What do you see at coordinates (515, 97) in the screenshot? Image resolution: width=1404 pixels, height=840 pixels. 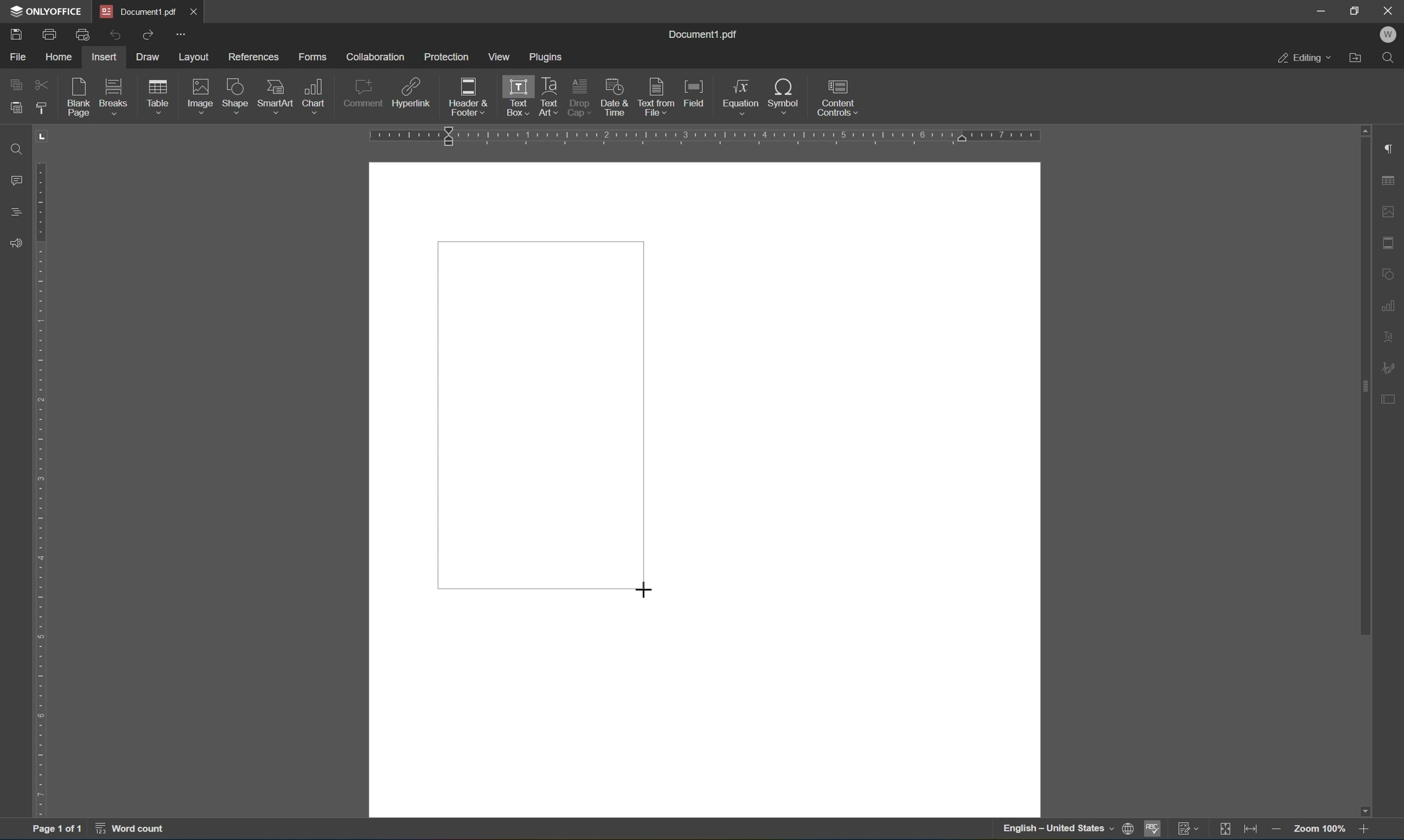 I see `text box` at bounding box center [515, 97].